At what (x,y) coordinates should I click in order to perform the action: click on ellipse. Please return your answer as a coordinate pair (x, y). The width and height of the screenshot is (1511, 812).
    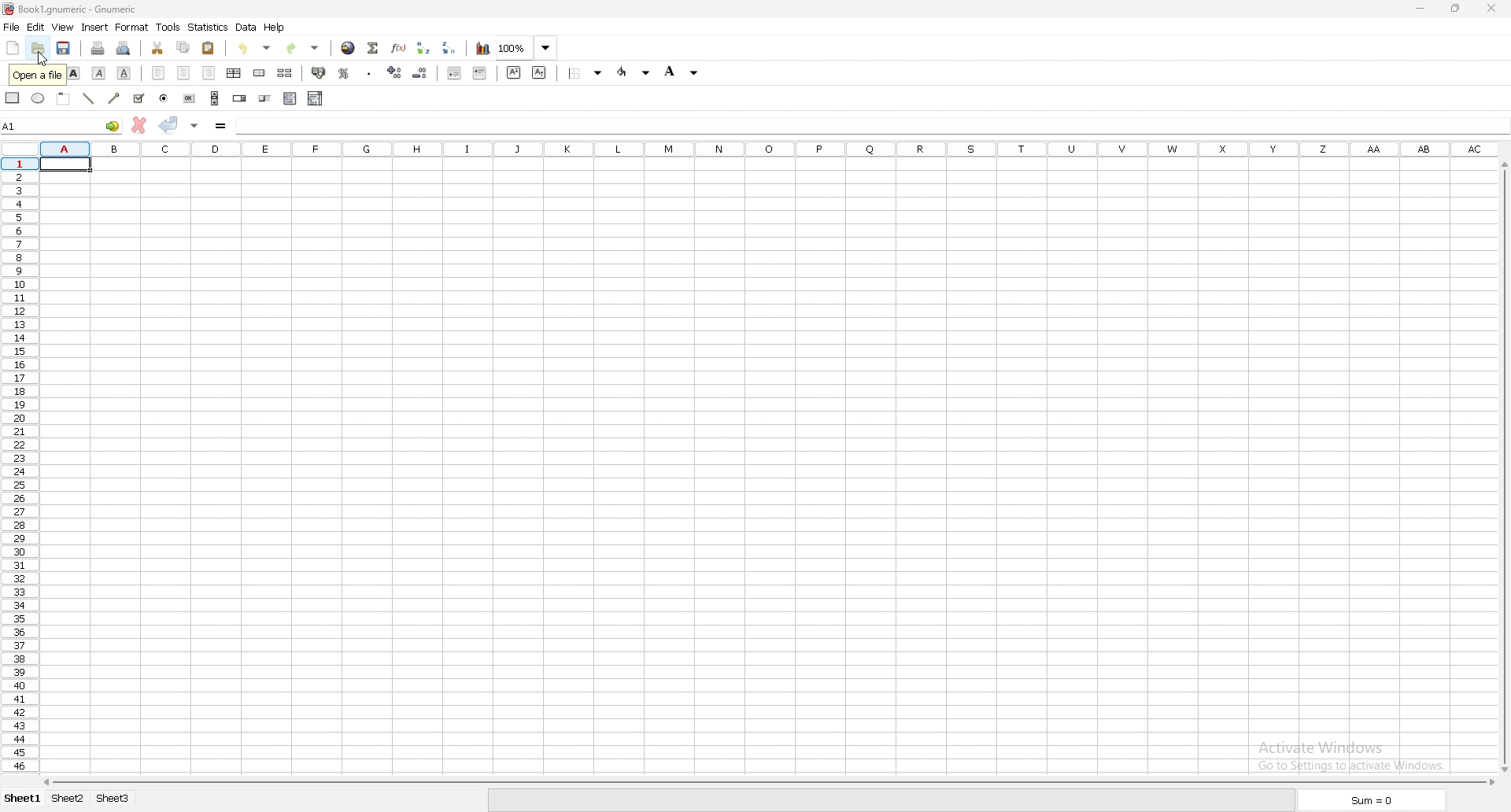
    Looking at the image, I should click on (39, 98).